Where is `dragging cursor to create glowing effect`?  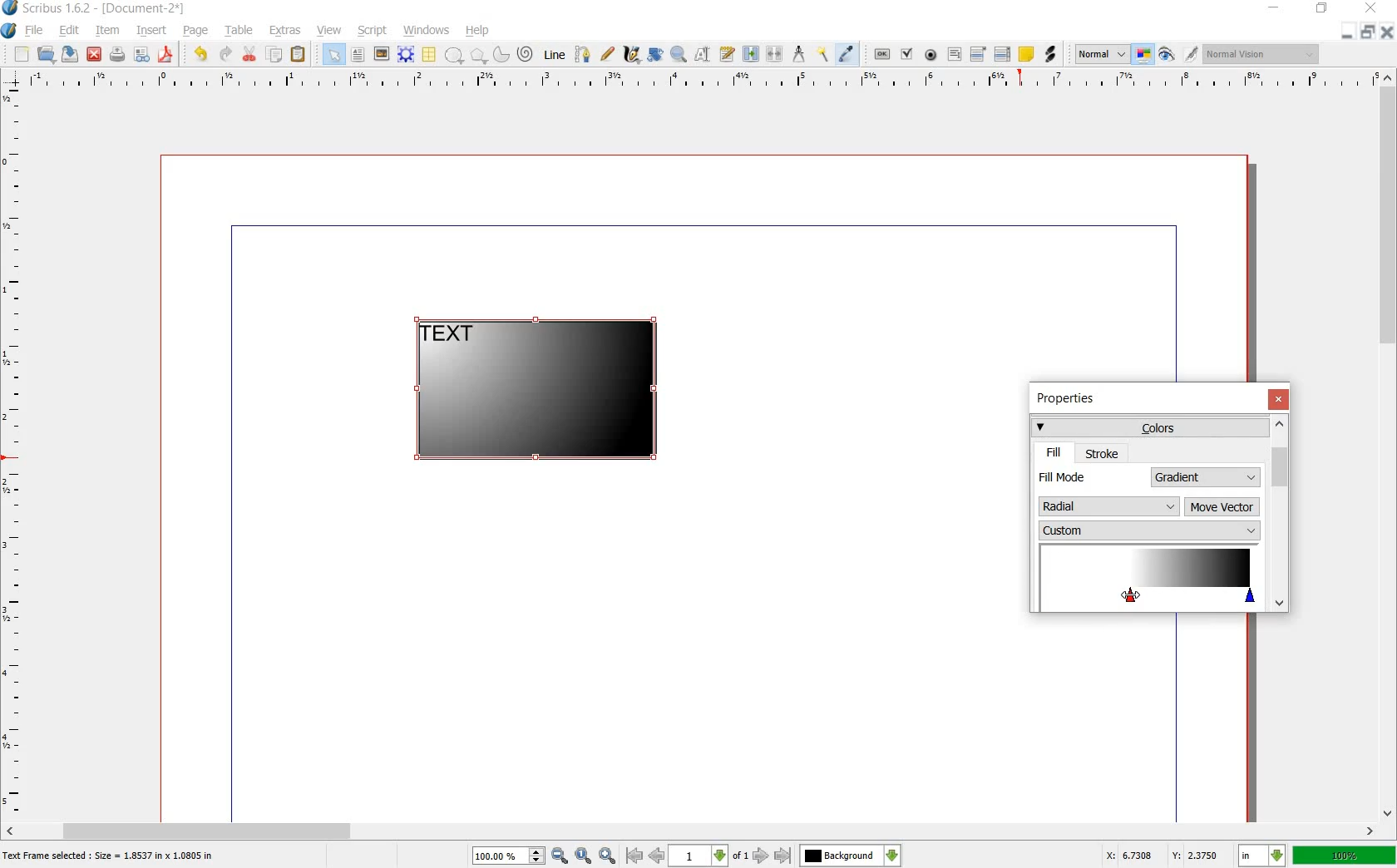
dragging cursor to create glowing effect is located at coordinates (1128, 595).